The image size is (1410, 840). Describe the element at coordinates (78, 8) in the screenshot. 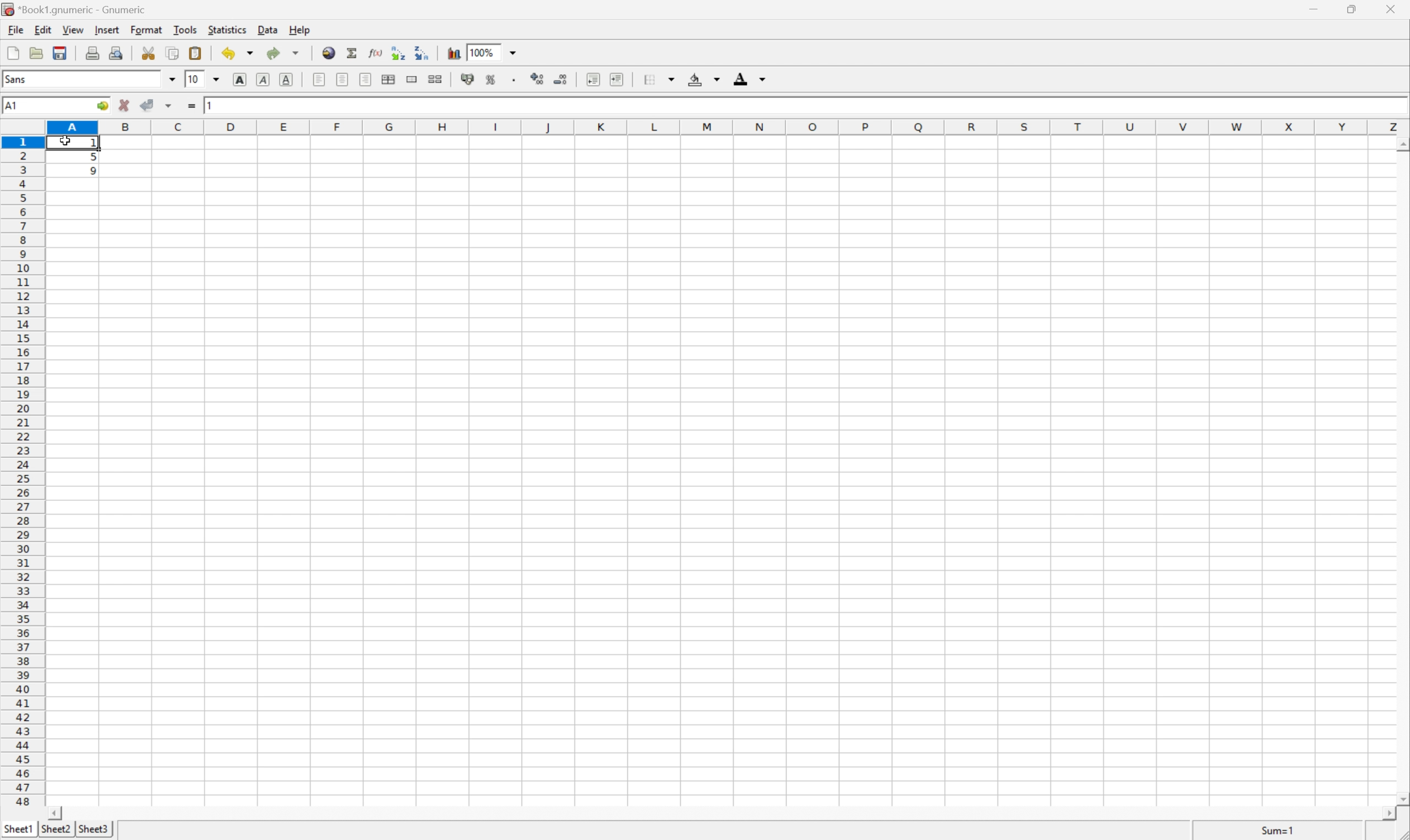

I see `application name` at that location.